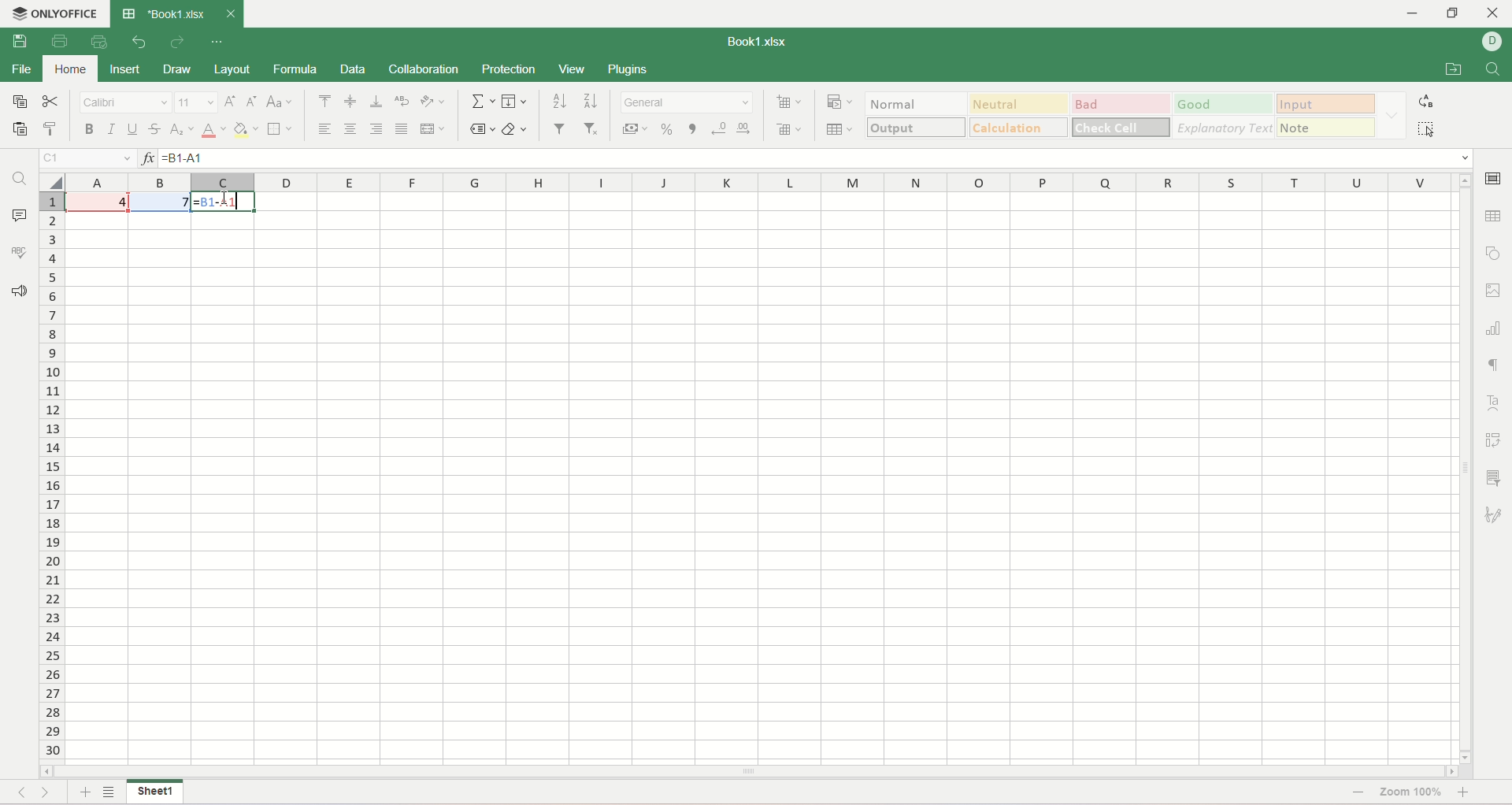 This screenshot has width=1512, height=805. Describe the element at coordinates (1328, 103) in the screenshot. I see `input` at that location.